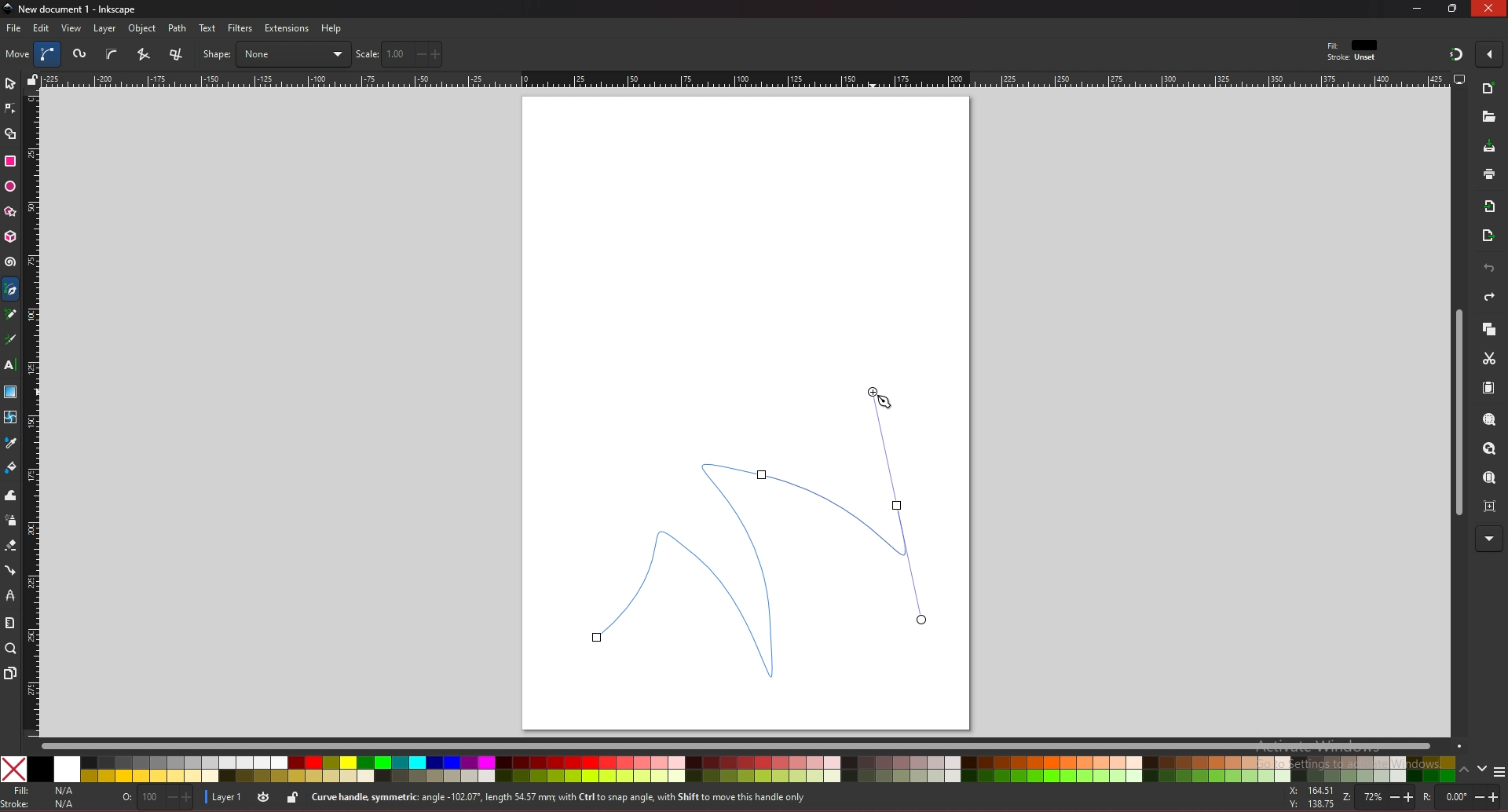 This screenshot has height=812, width=1508. I want to click on redo, so click(1489, 297).